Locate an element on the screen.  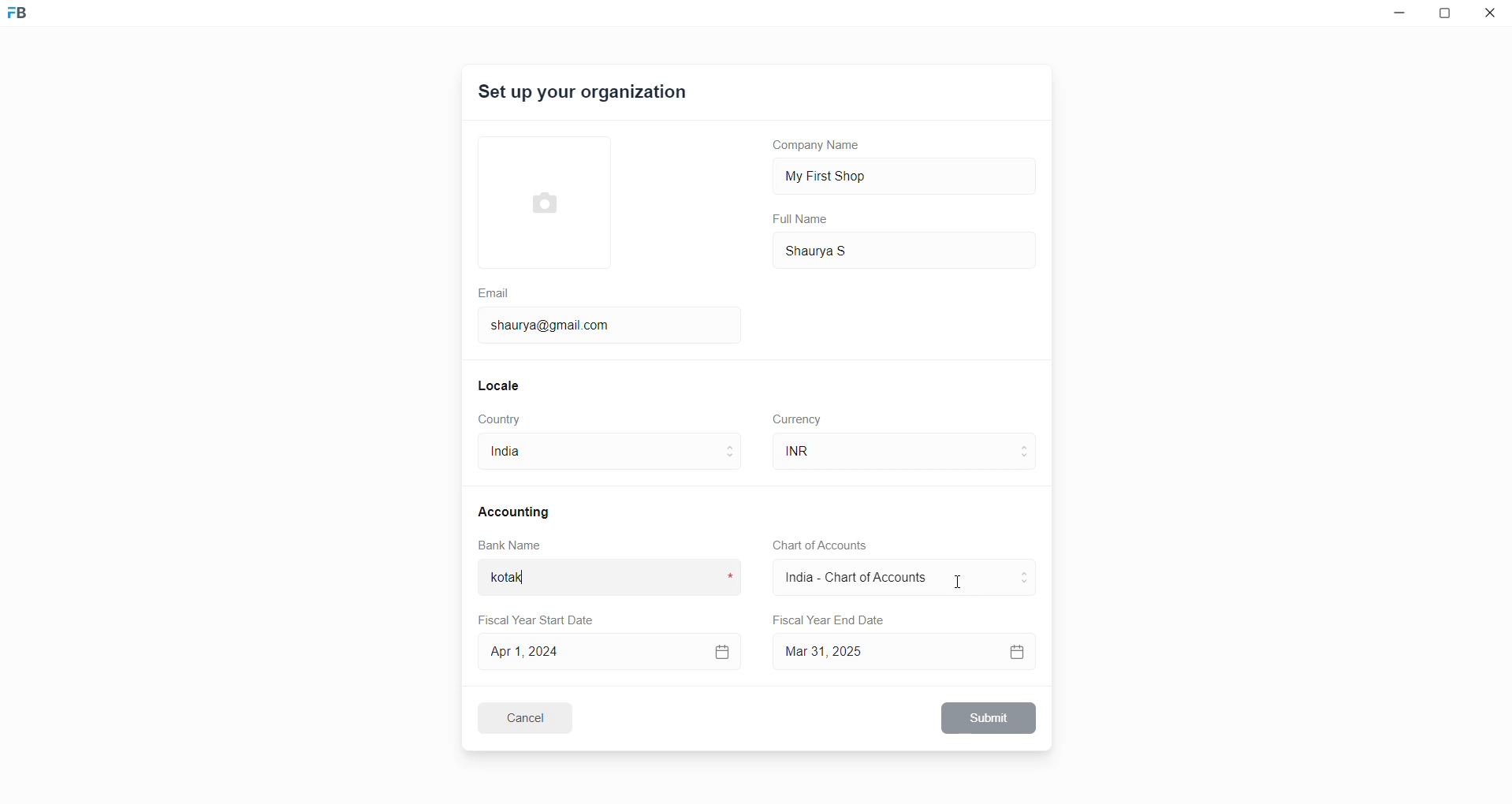
Full Name is located at coordinates (802, 219).